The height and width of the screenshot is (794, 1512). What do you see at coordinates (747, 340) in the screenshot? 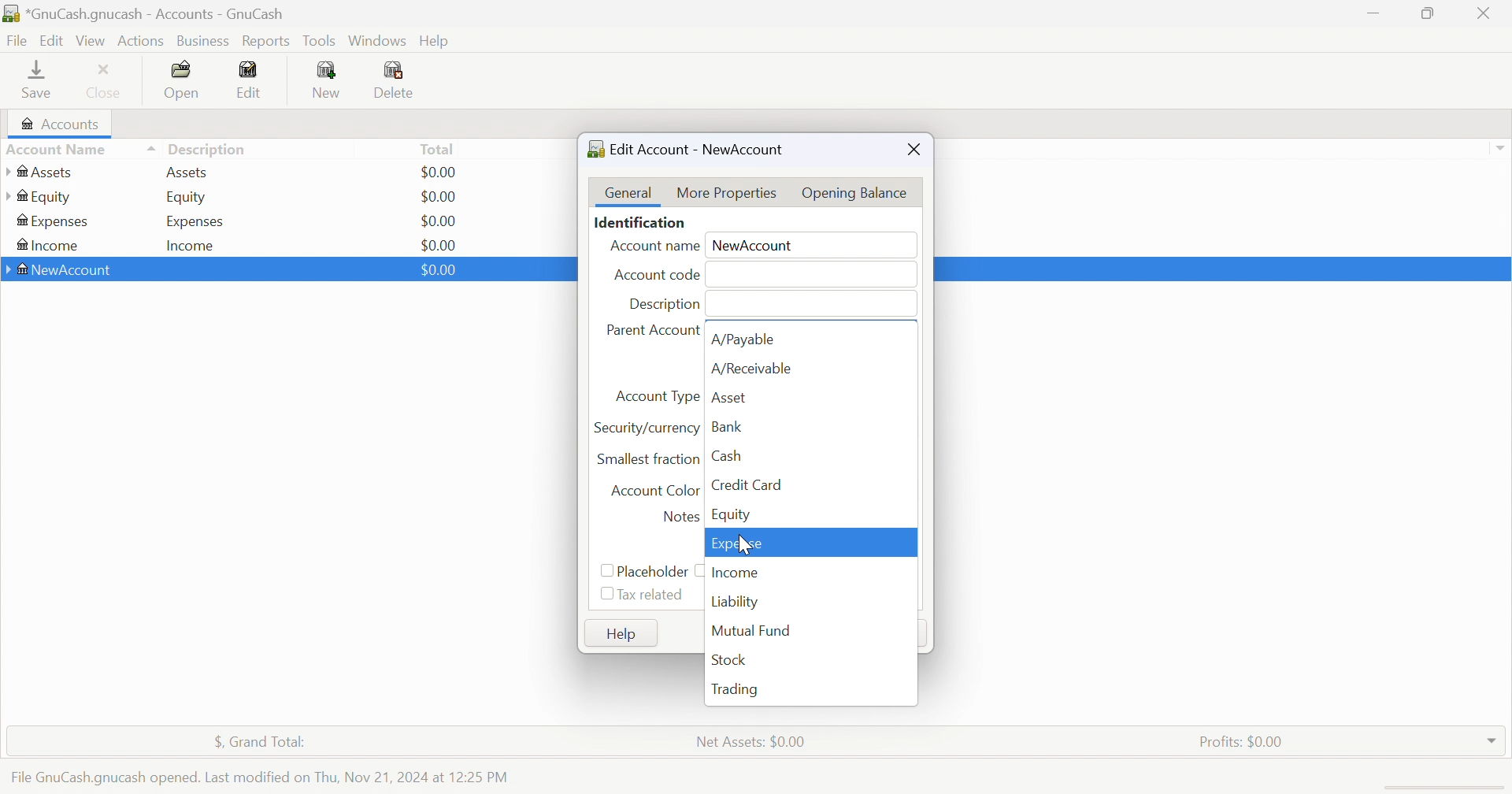
I see `A/Payable` at bounding box center [747, 340].